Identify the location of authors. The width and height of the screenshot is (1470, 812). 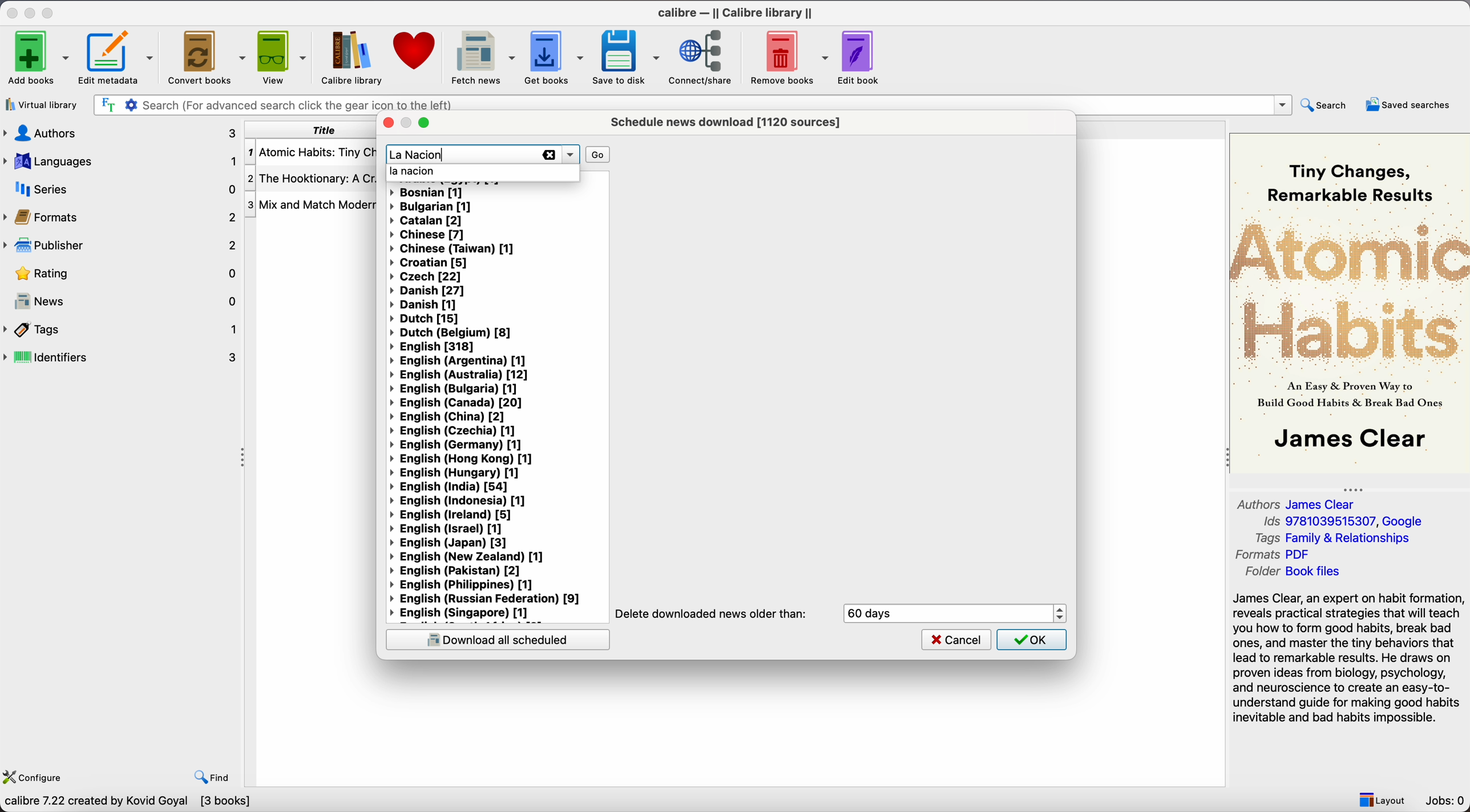
(122, 134).